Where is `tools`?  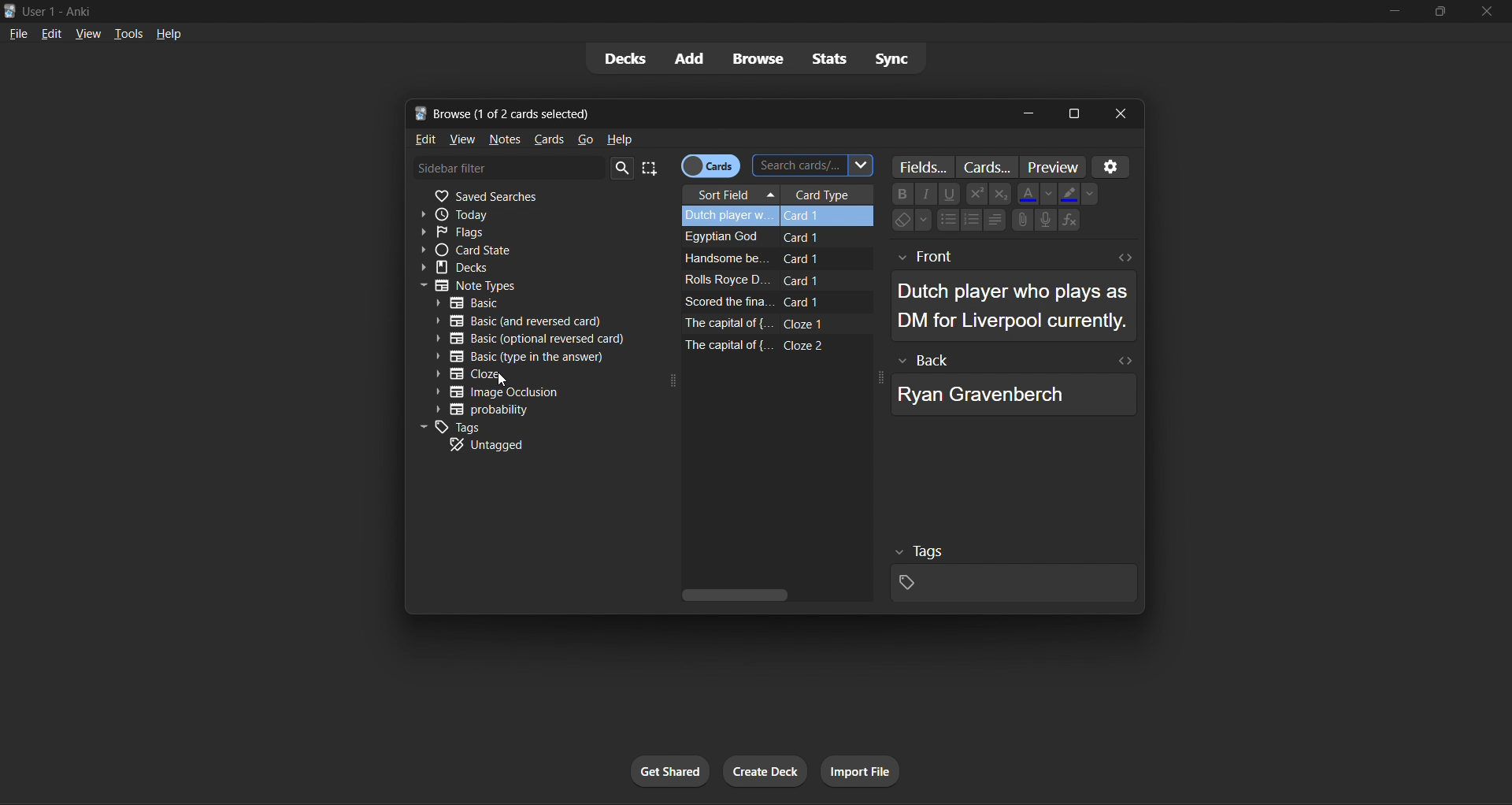
tools is located at coordinates (128, 33).